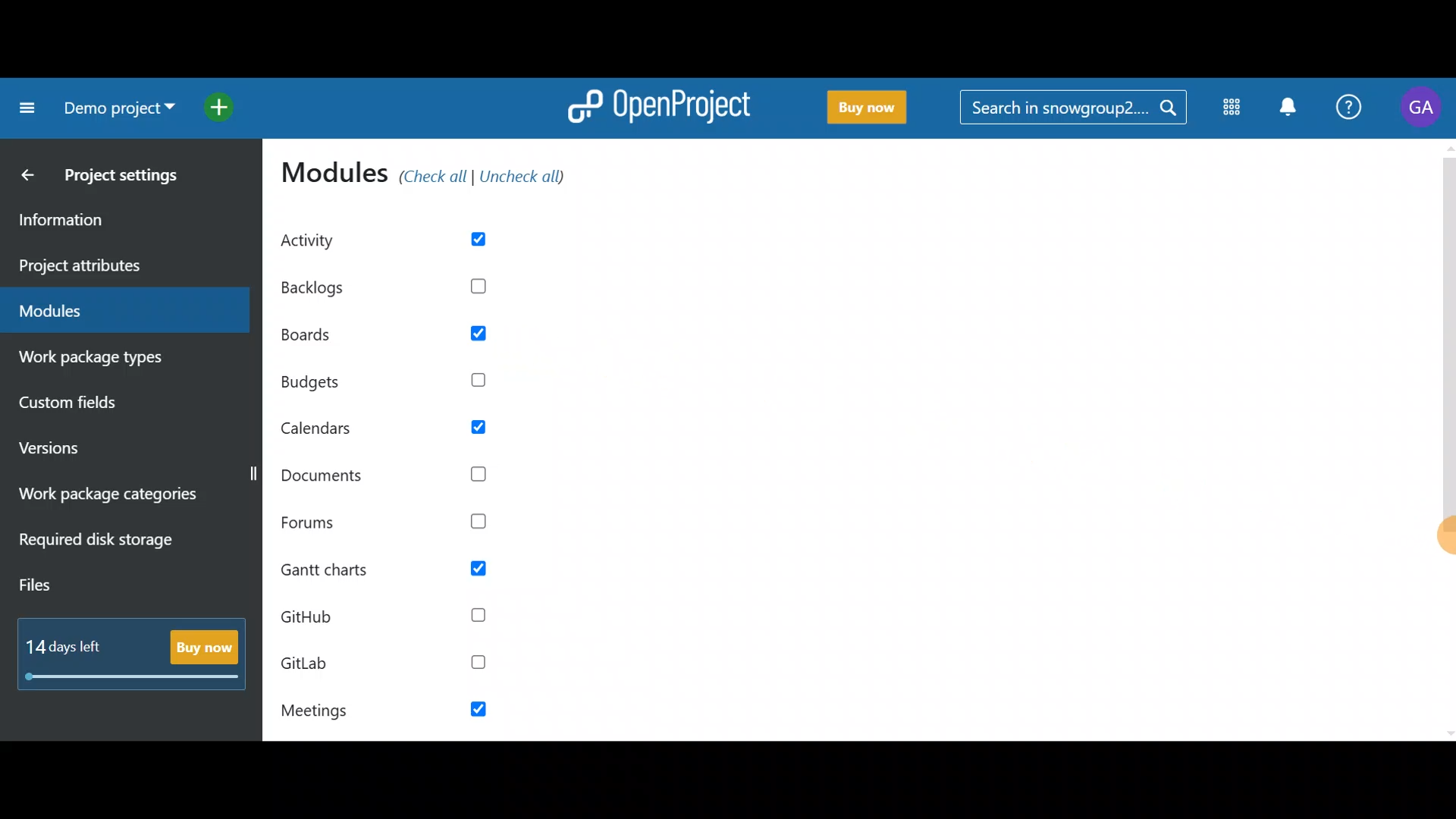 This screenshot has height=819, width=1456. What do you see at coordinates (660, 111) in the screenshot?
I see `OpenProject` at bounding box center [660, 111].